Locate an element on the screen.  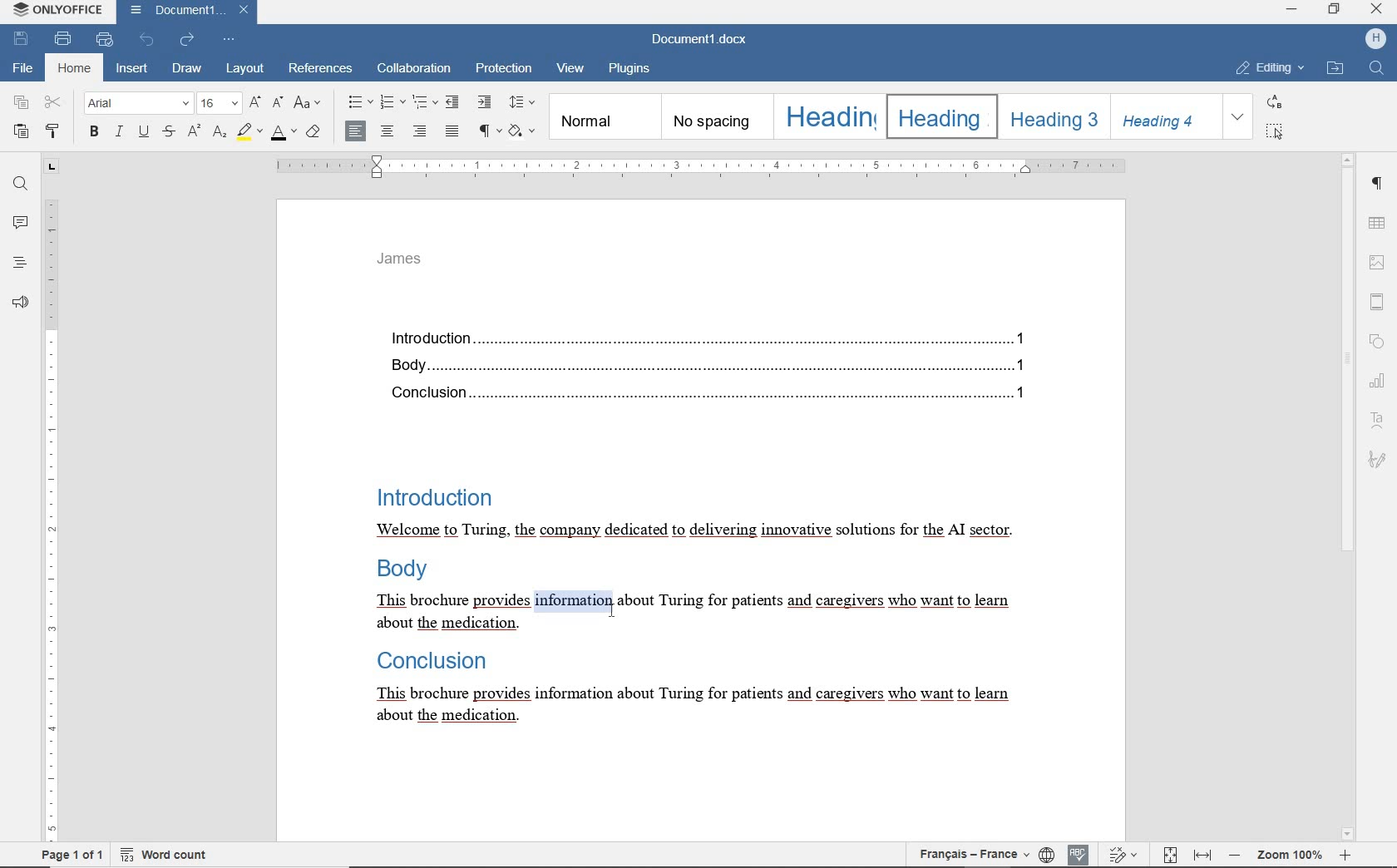
VIEW is located at coordinates (570, 72).